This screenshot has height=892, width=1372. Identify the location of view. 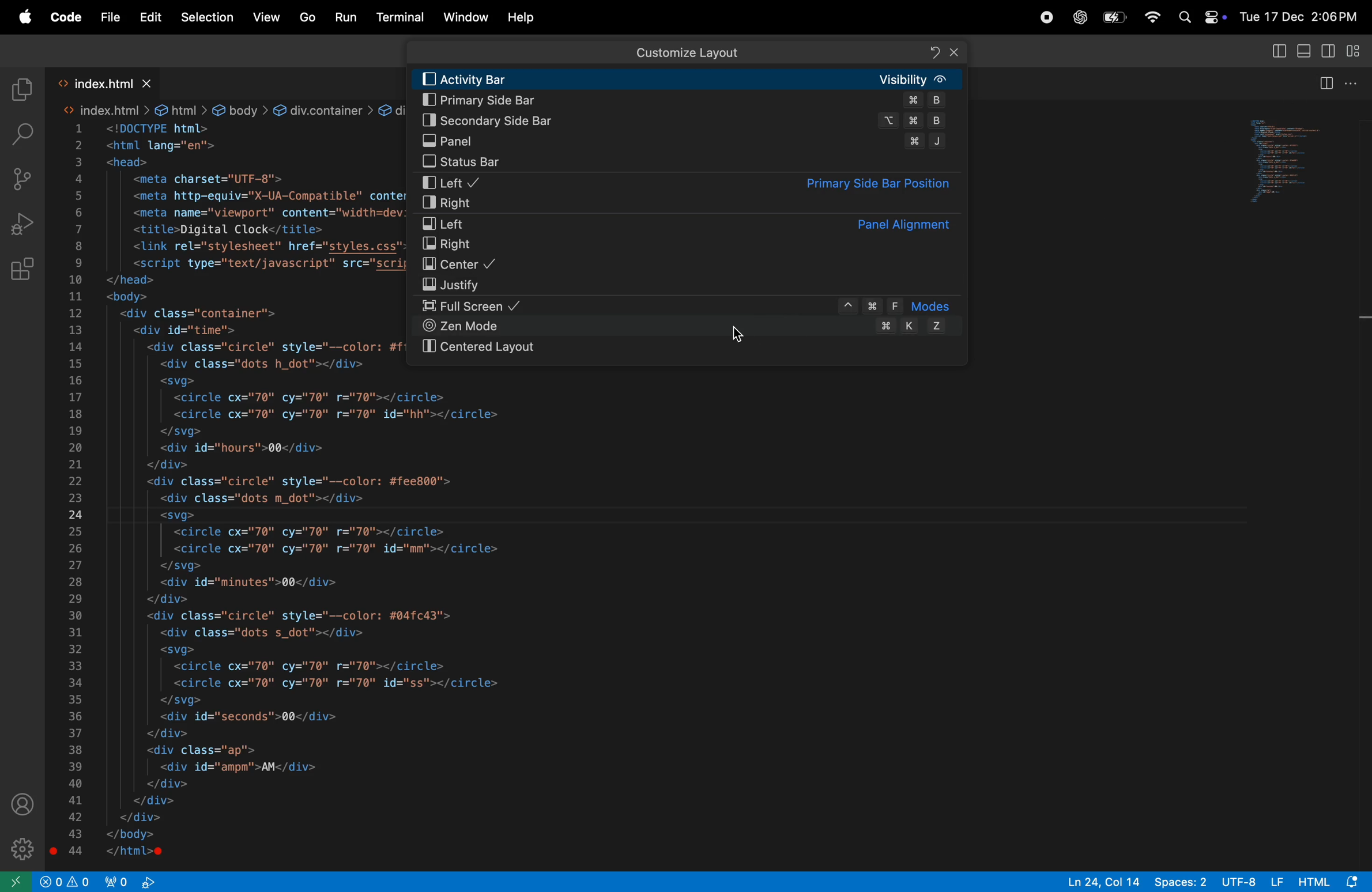
(268, 17).